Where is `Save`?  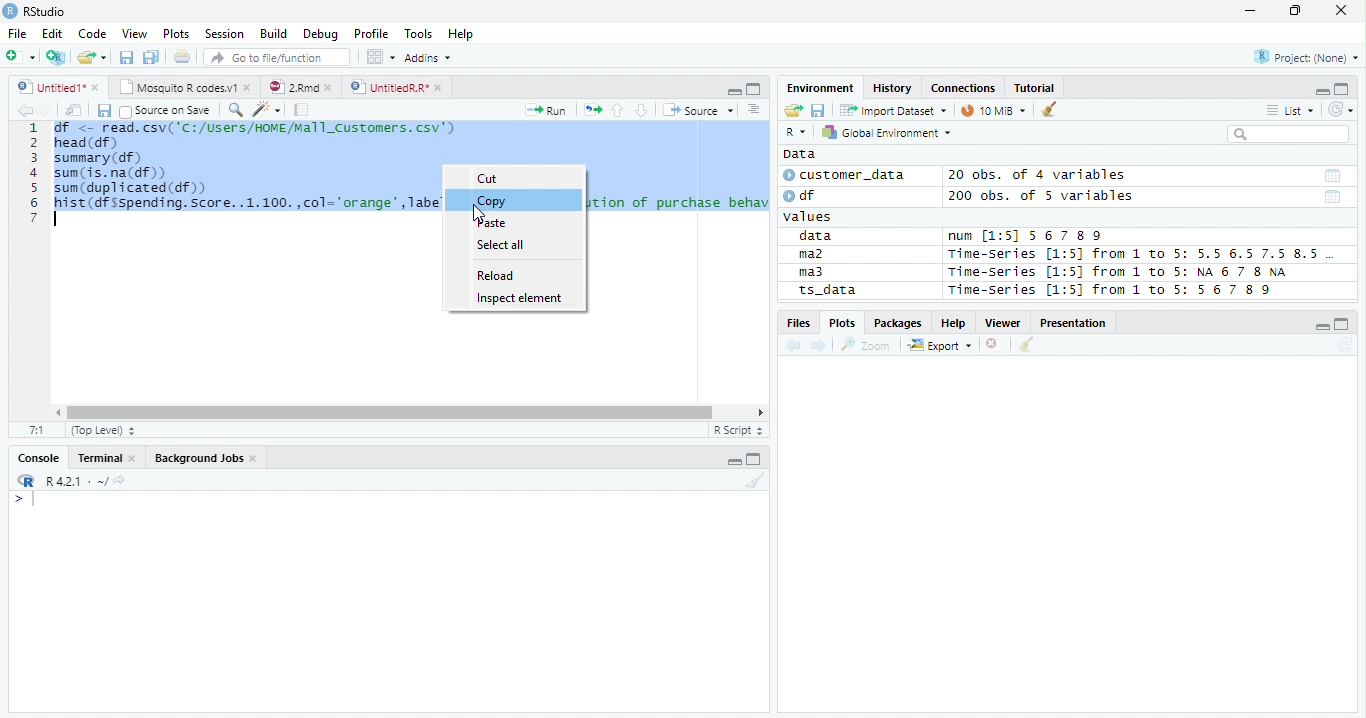
Save is located at coordinates (126, 56).